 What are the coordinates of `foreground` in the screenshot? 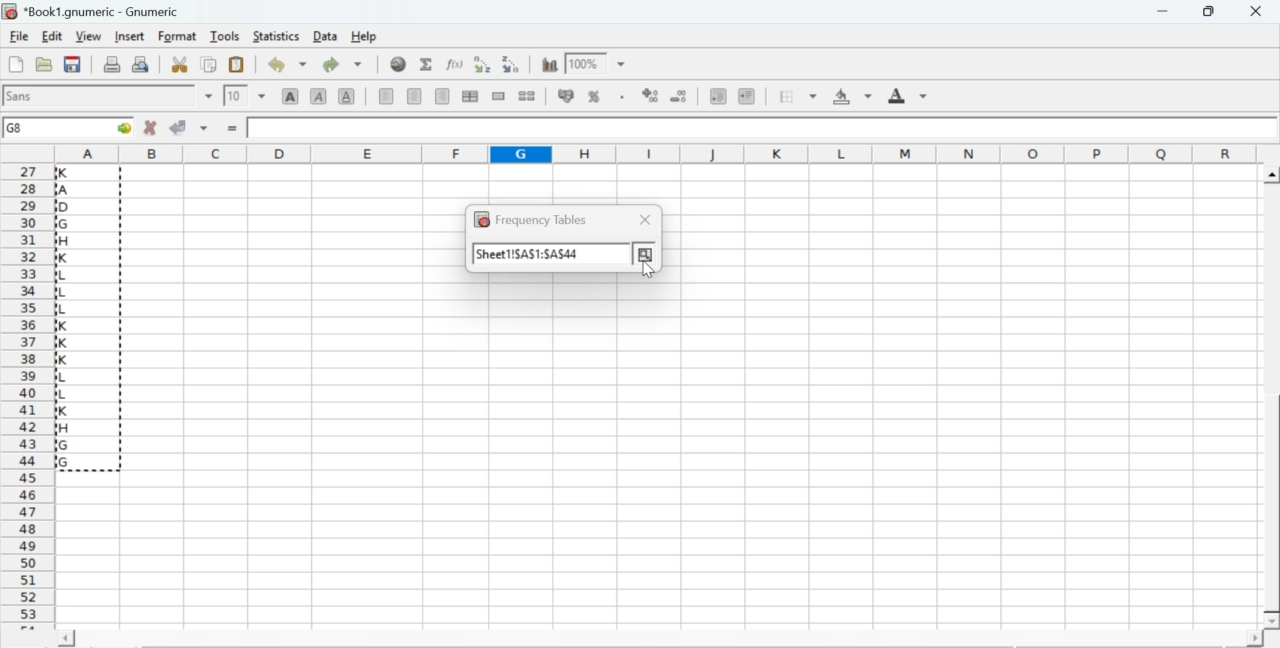 It's located at (908, 95).